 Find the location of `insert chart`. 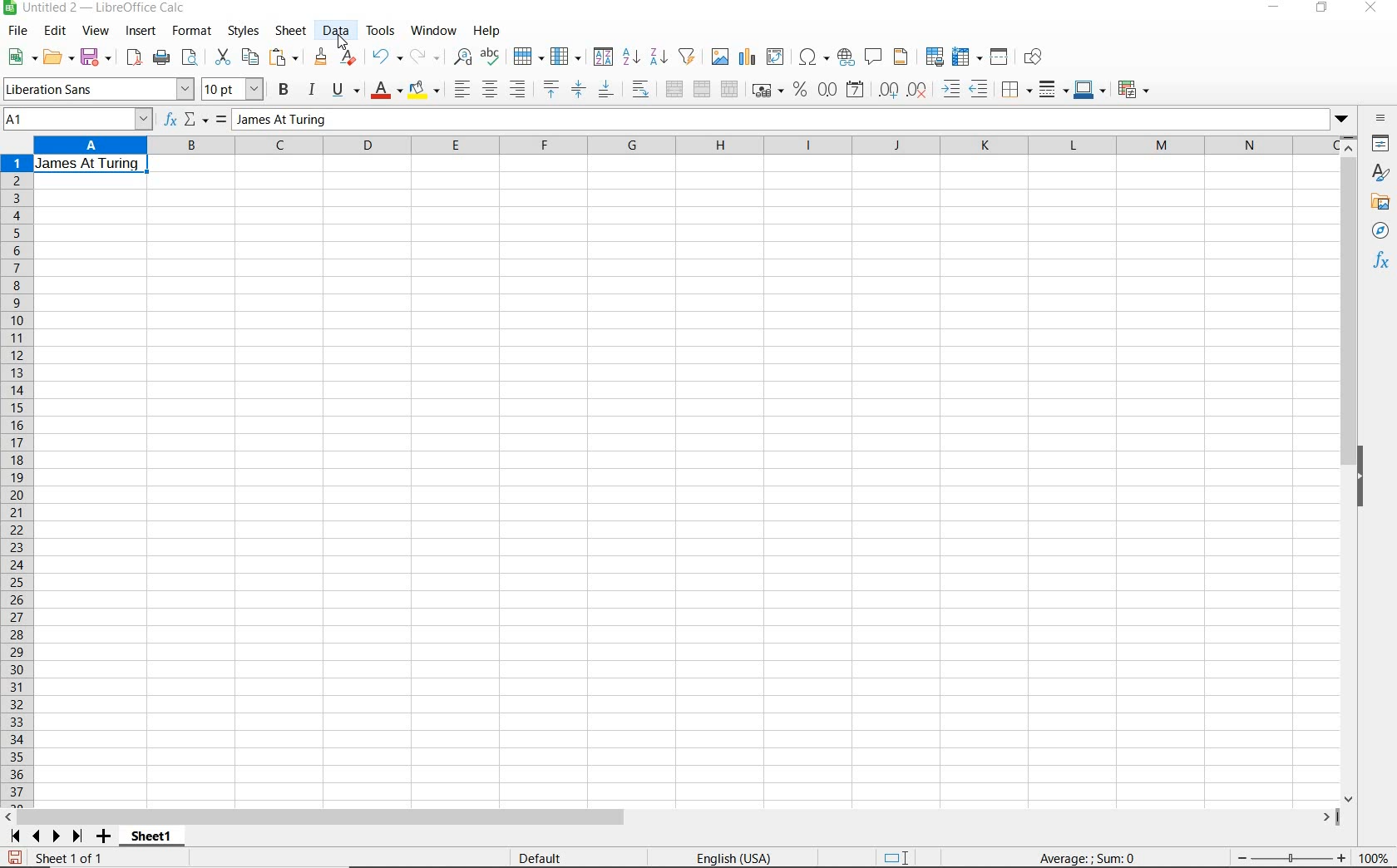

insert chart is located at coordinates (748, 57).